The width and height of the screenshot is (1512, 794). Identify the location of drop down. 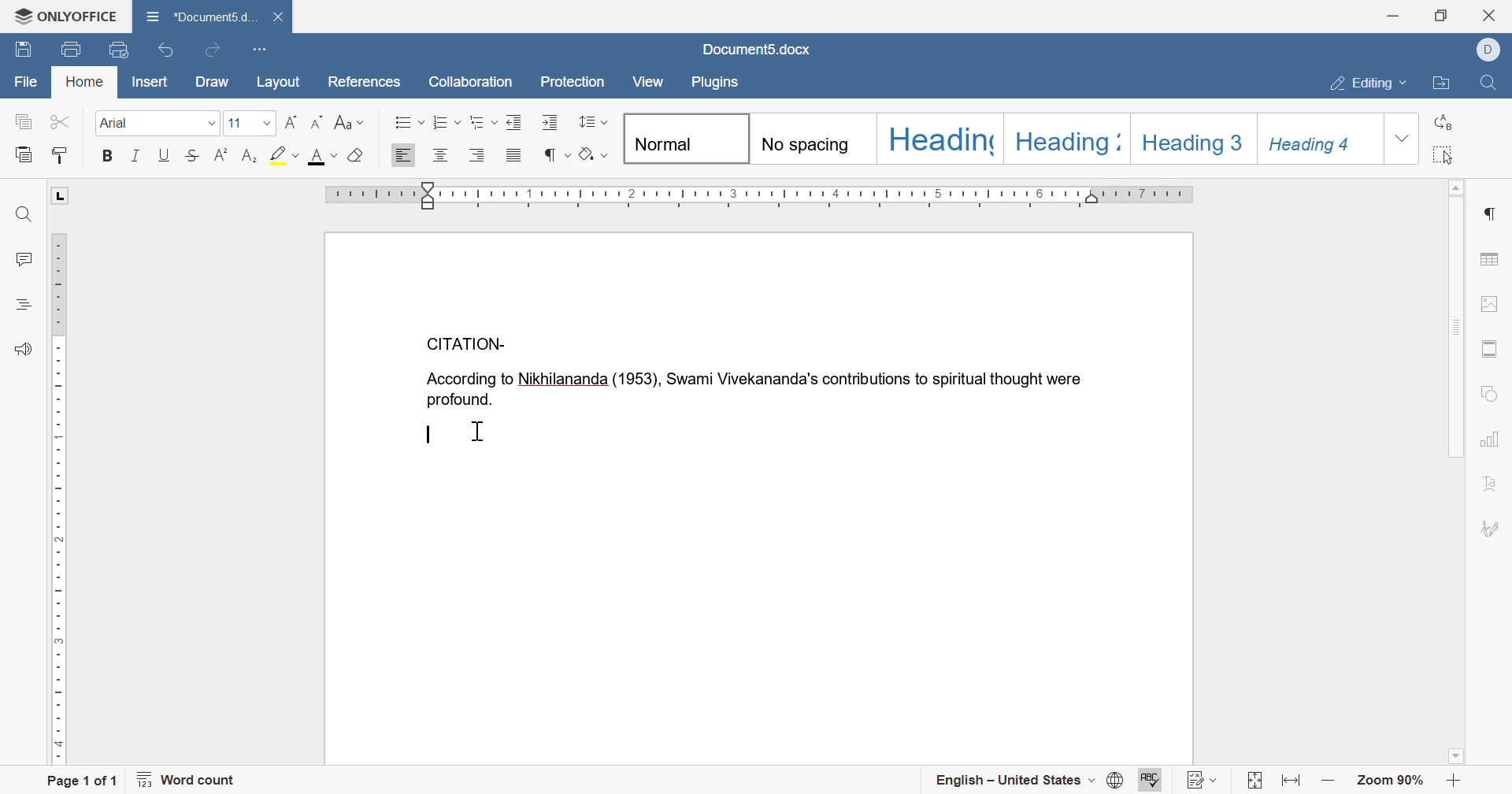
(1406, 138).